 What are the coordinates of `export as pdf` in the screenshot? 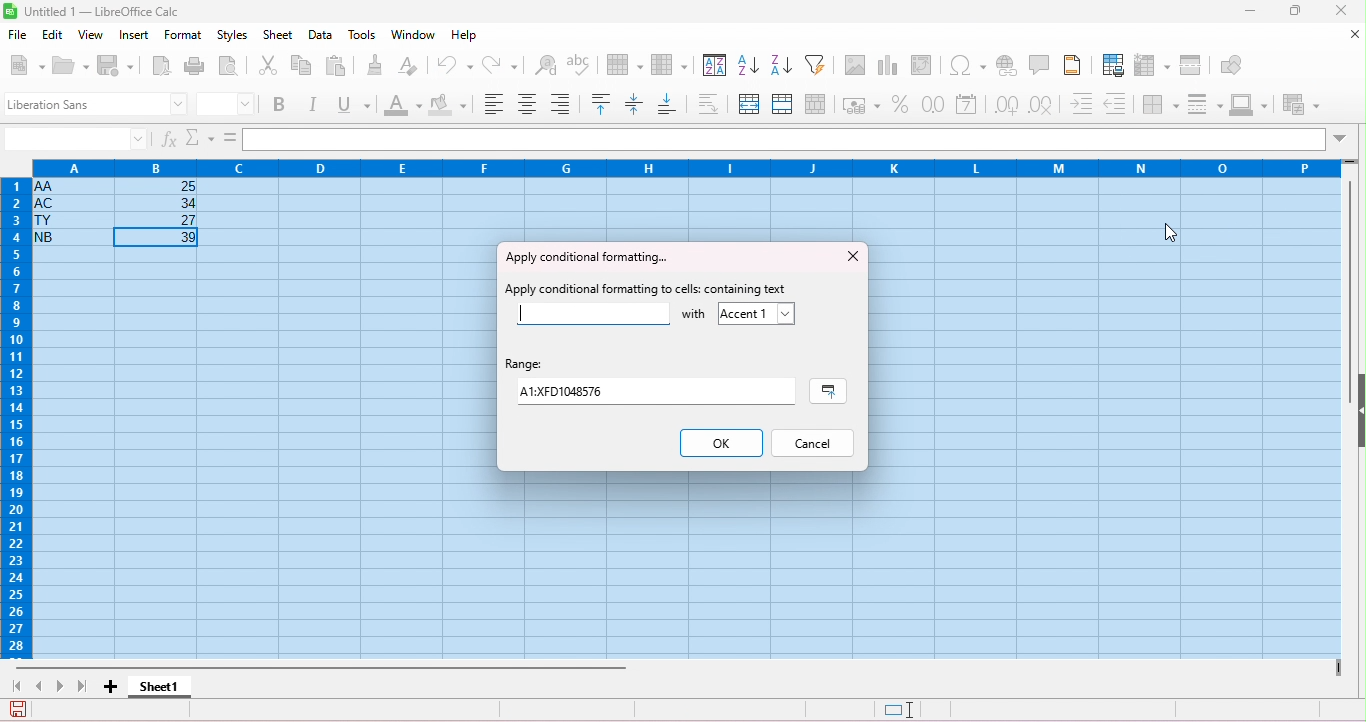 It's located at (161, 65).